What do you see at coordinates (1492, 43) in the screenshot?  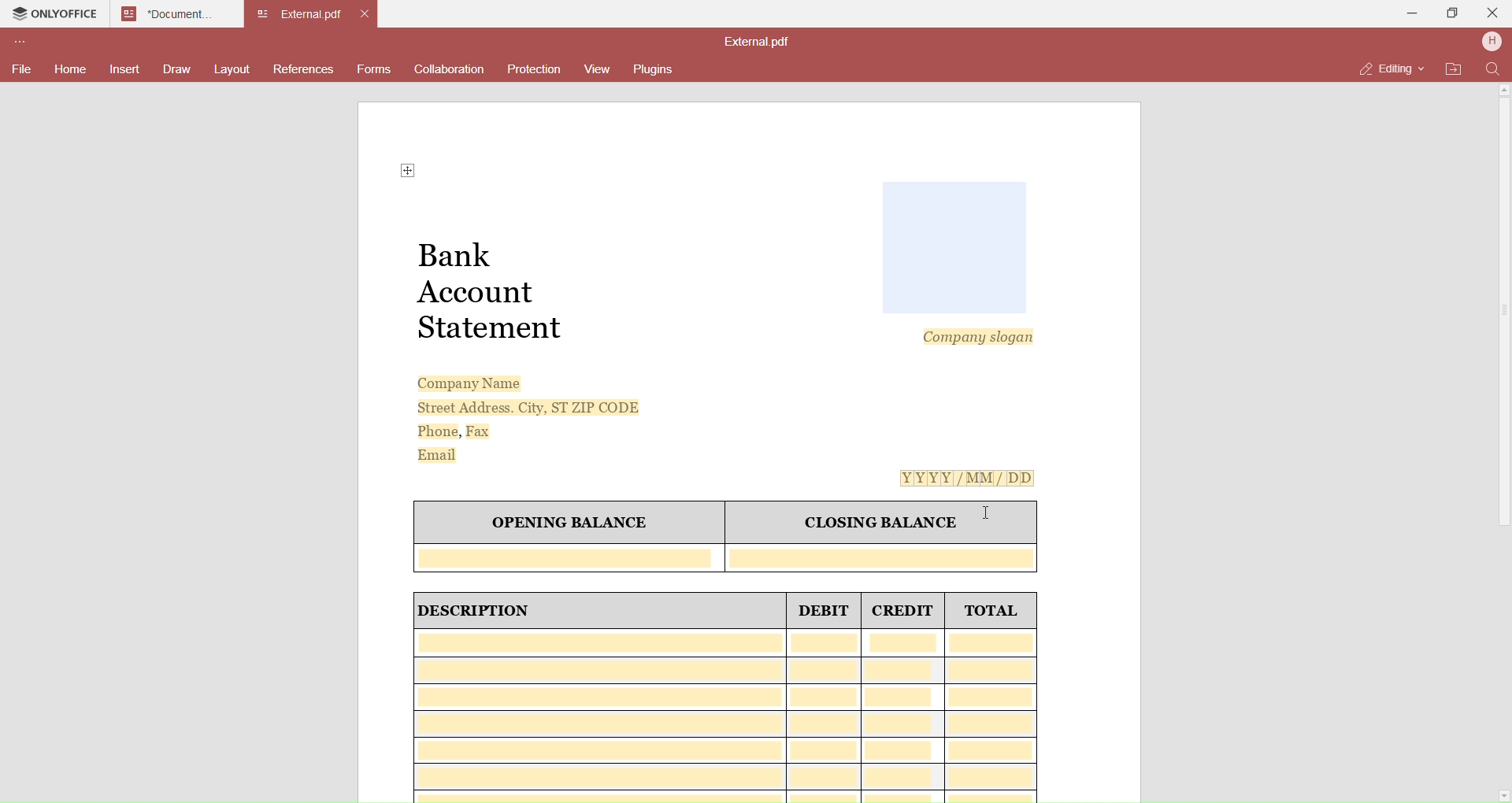 I see `User` at bounding box center [1492, 43].